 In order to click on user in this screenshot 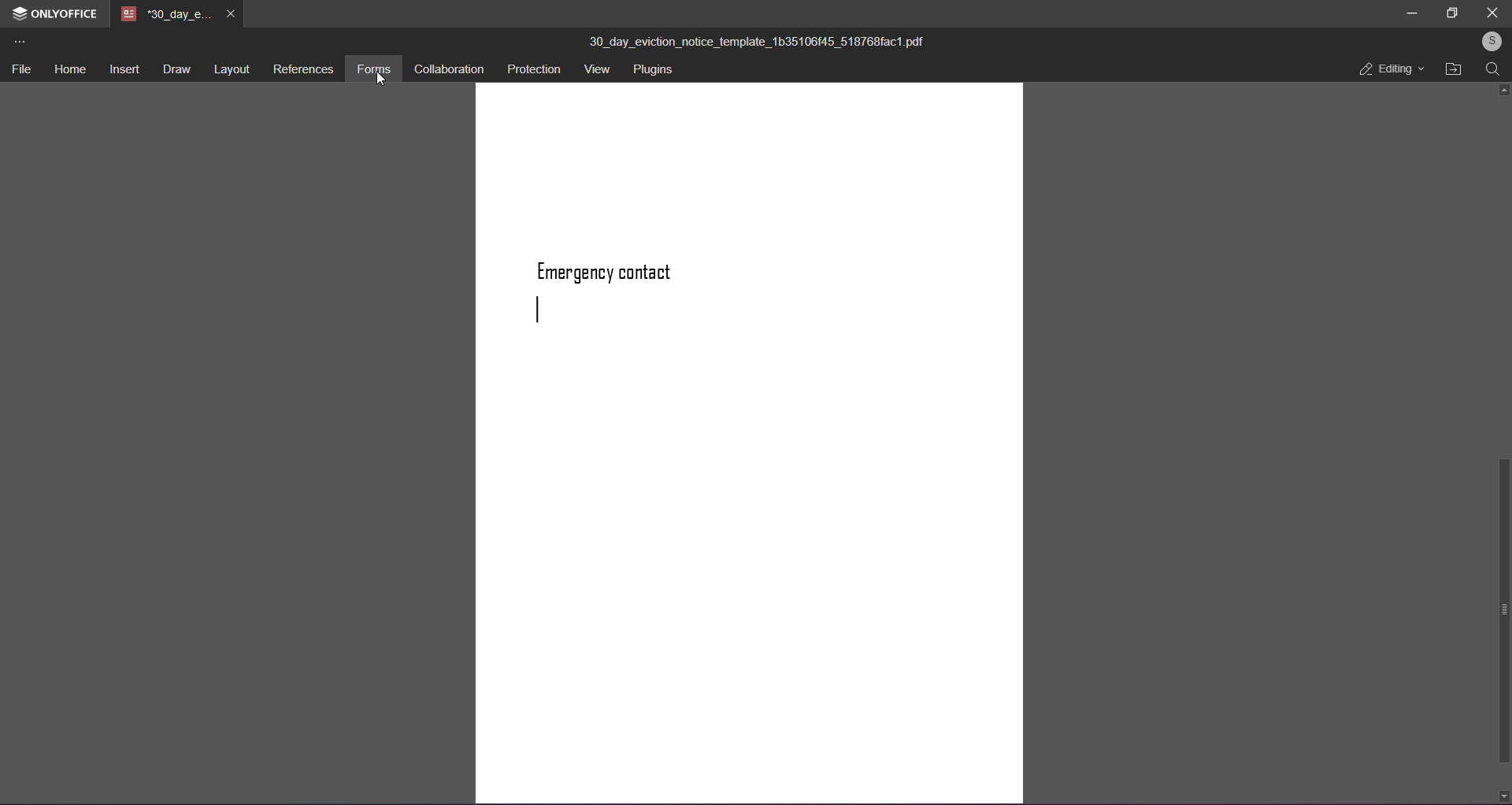, I will do `click(1488, 43)`.